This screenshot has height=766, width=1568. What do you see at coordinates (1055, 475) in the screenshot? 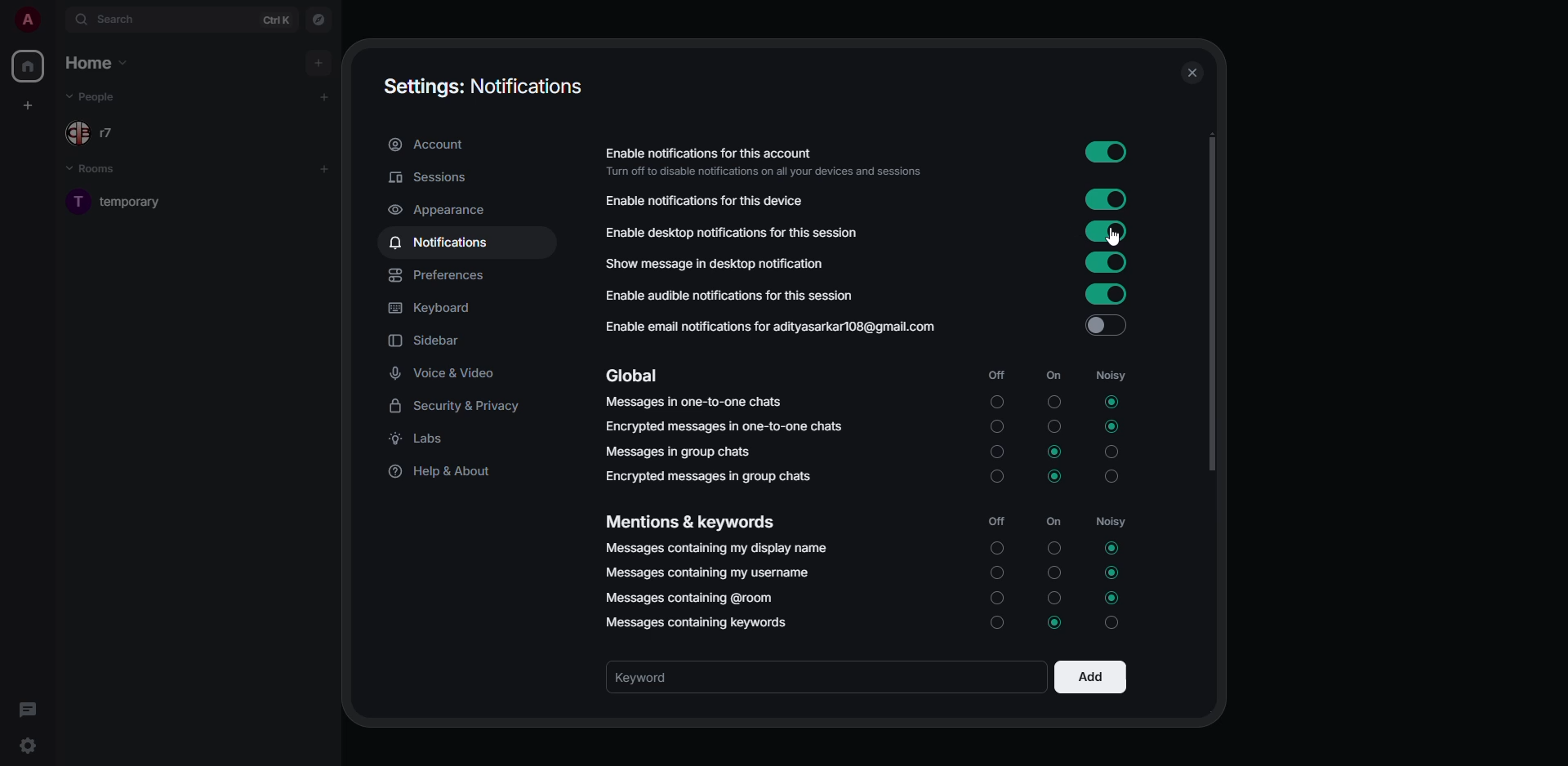
I see `selected` at bounding box center [1055, 475].